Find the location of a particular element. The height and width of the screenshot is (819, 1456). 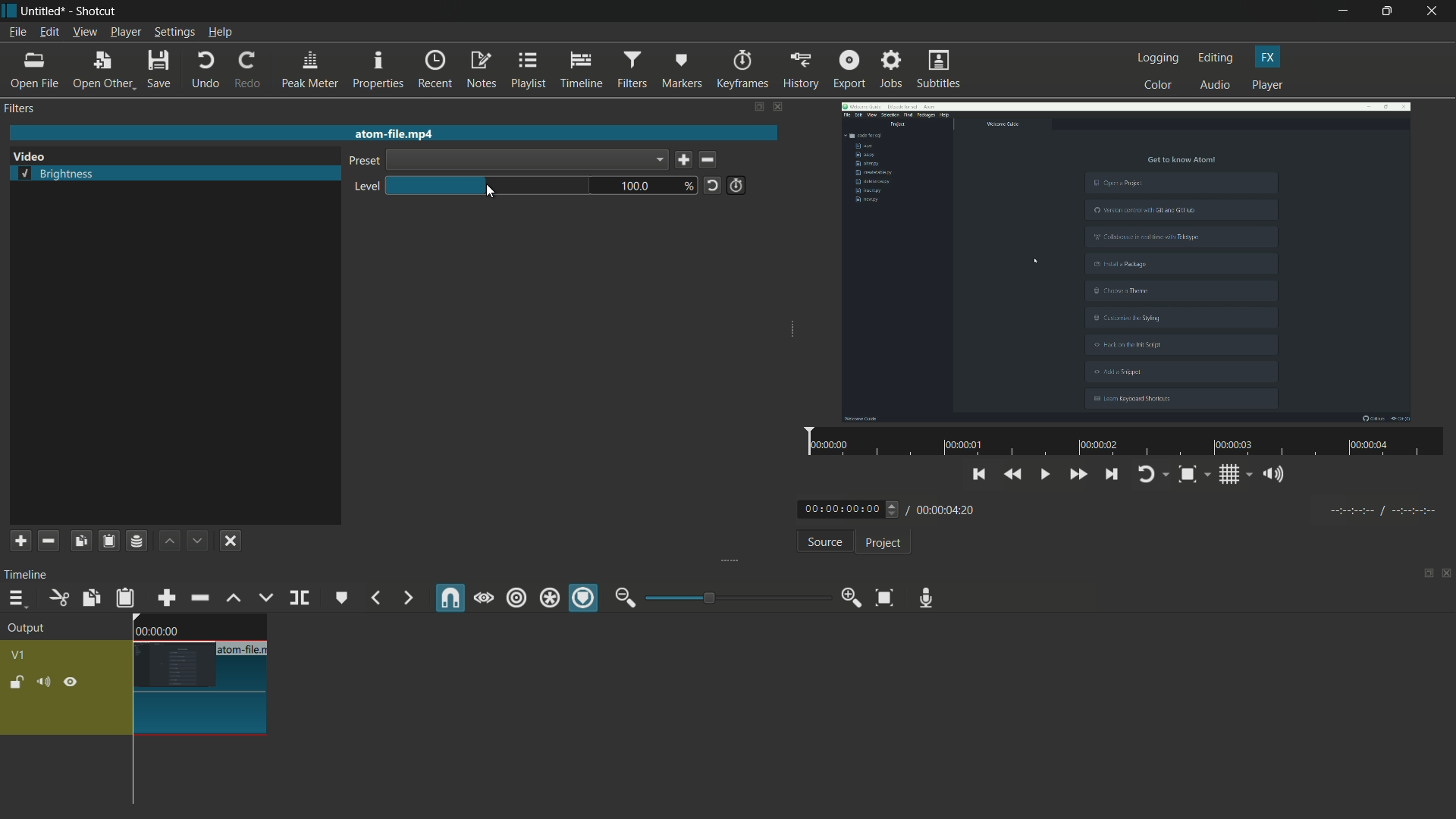

hide is located at coordinates (71, 682).